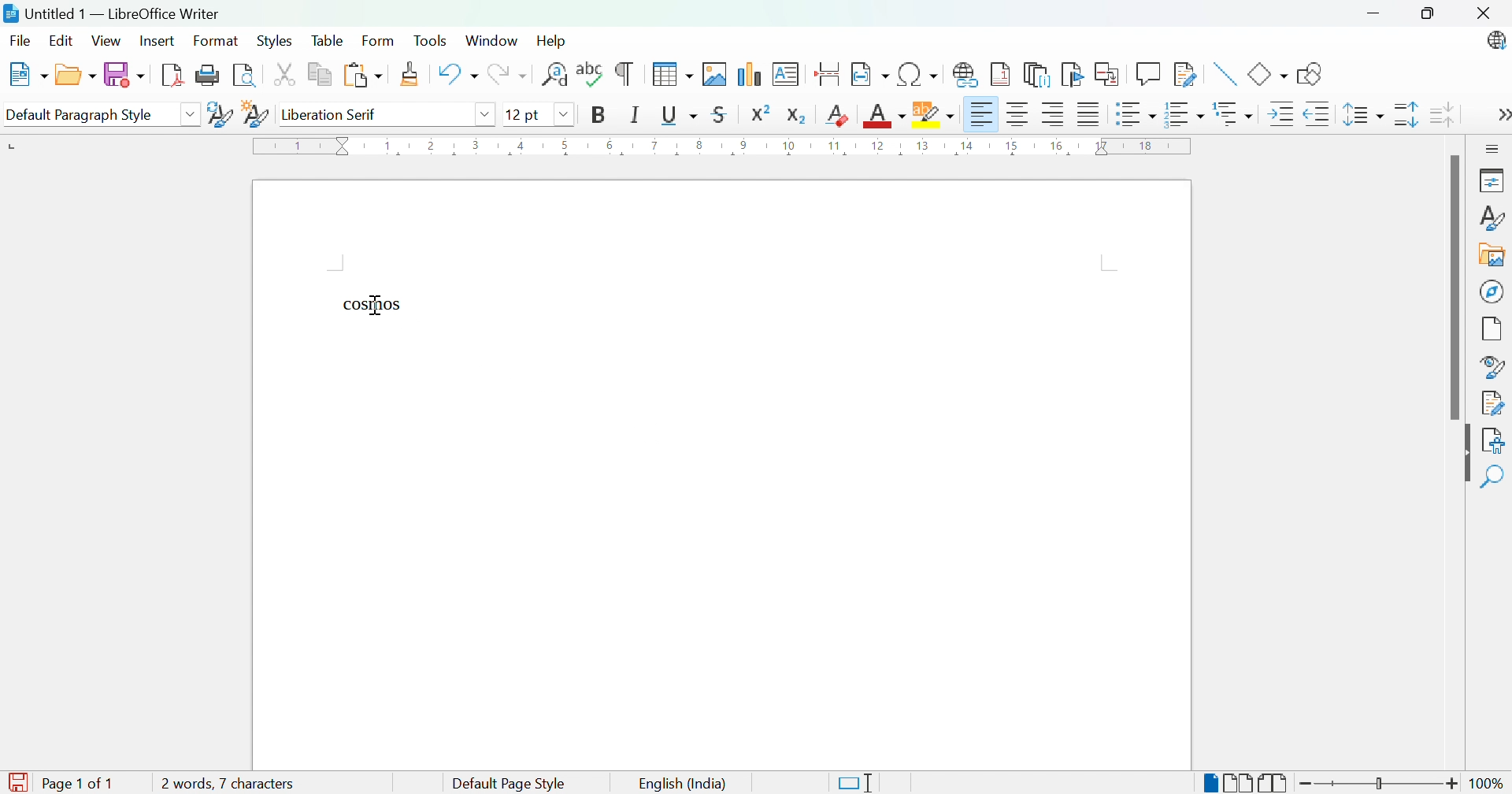 This screenshot has height=794, width=1512. I want to click on Styles, so click(1492, 219).